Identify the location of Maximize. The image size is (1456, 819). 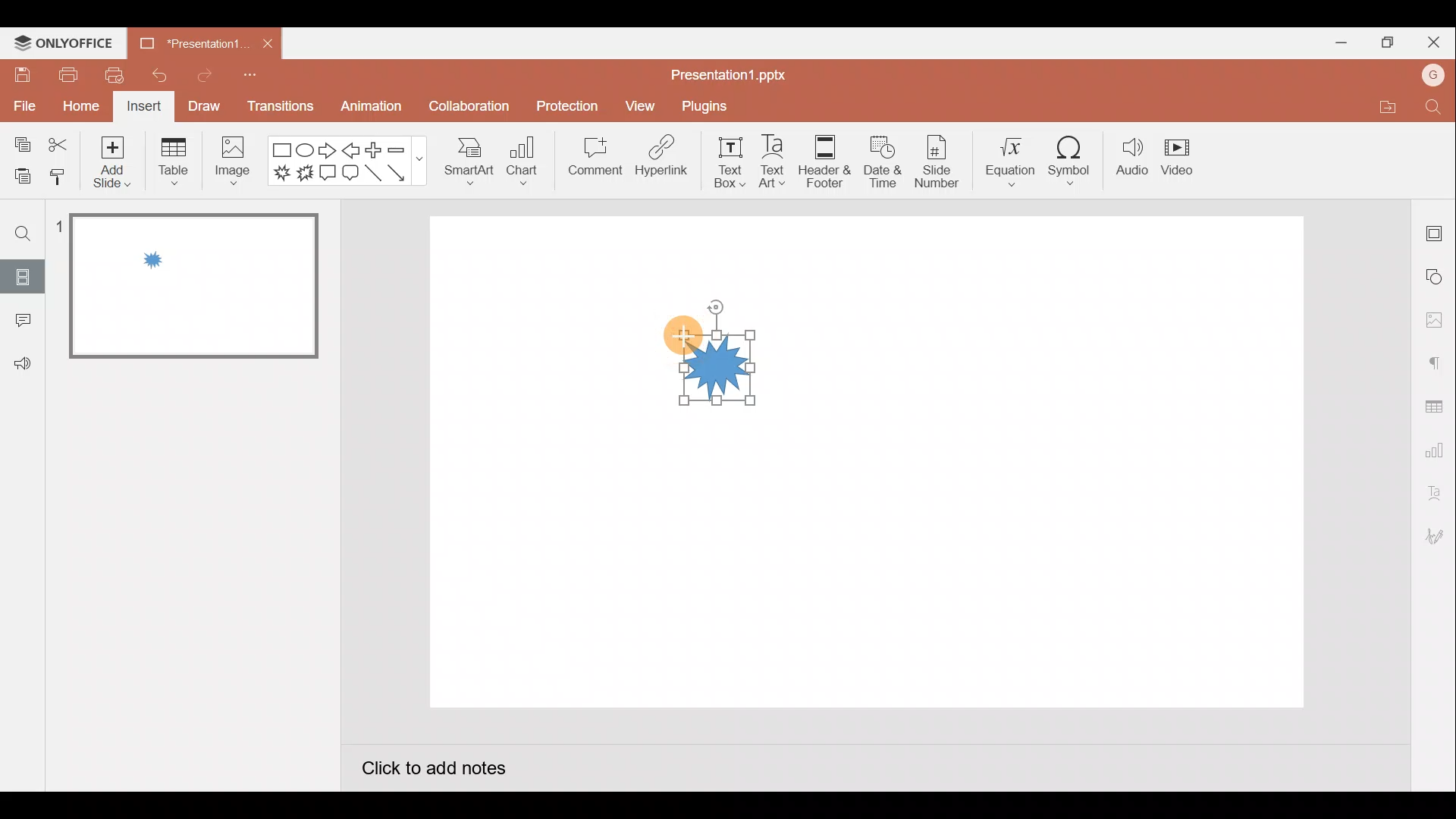
(1384, 42).